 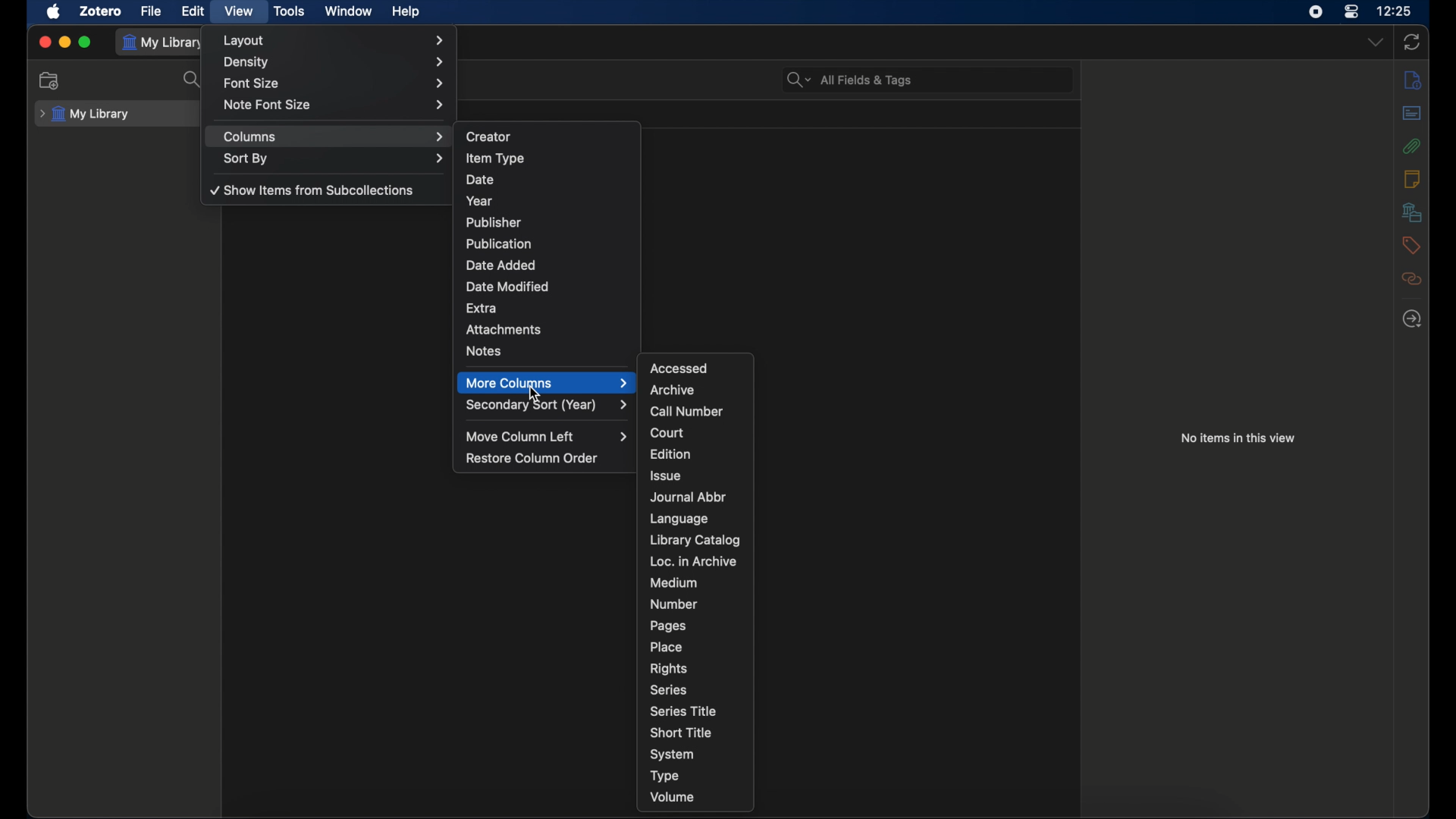 I want to click on font size, so click(x=334, y=84).